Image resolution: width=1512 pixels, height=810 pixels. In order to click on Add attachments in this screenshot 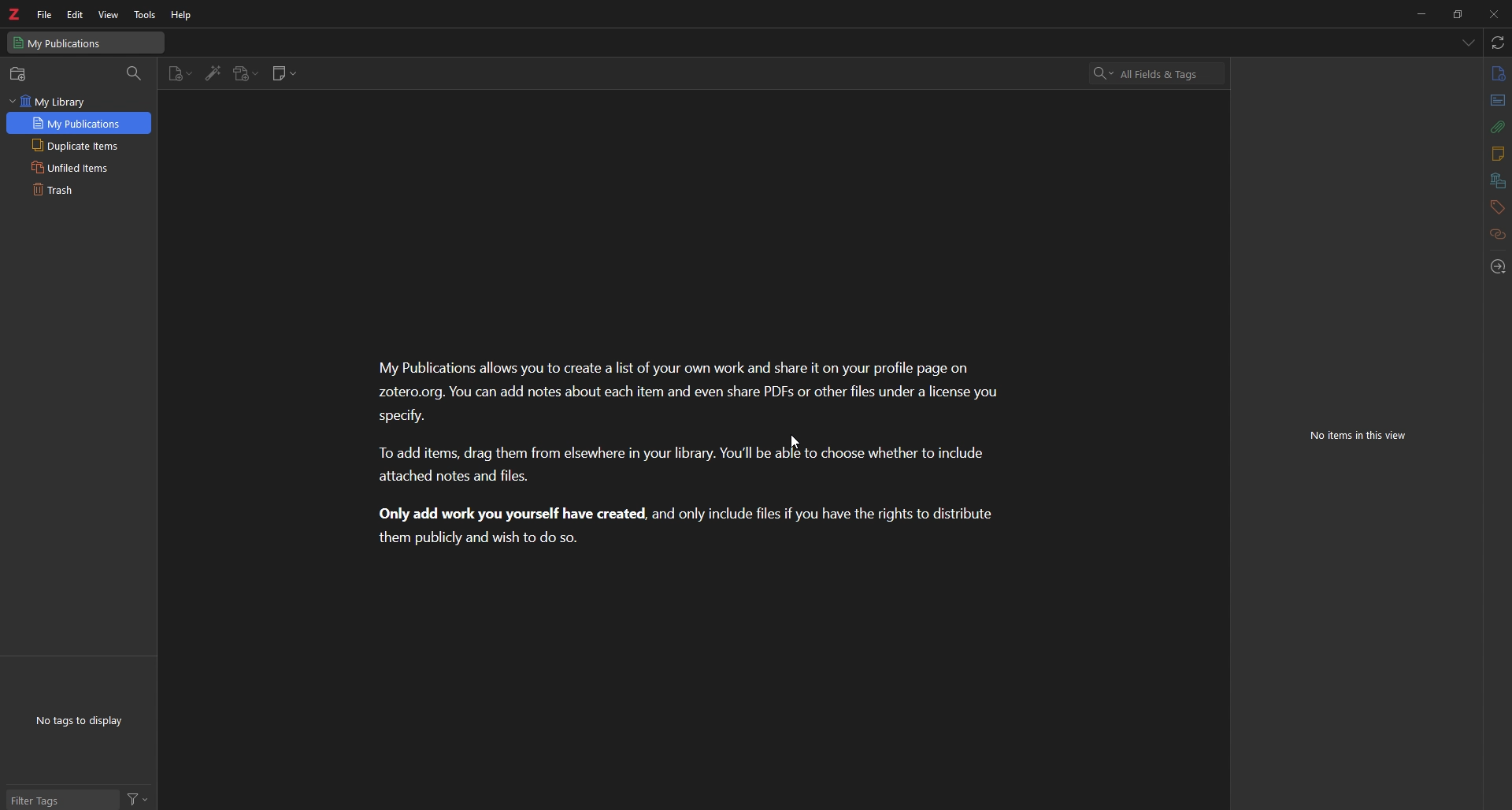, I will do `click(243, 74)`.